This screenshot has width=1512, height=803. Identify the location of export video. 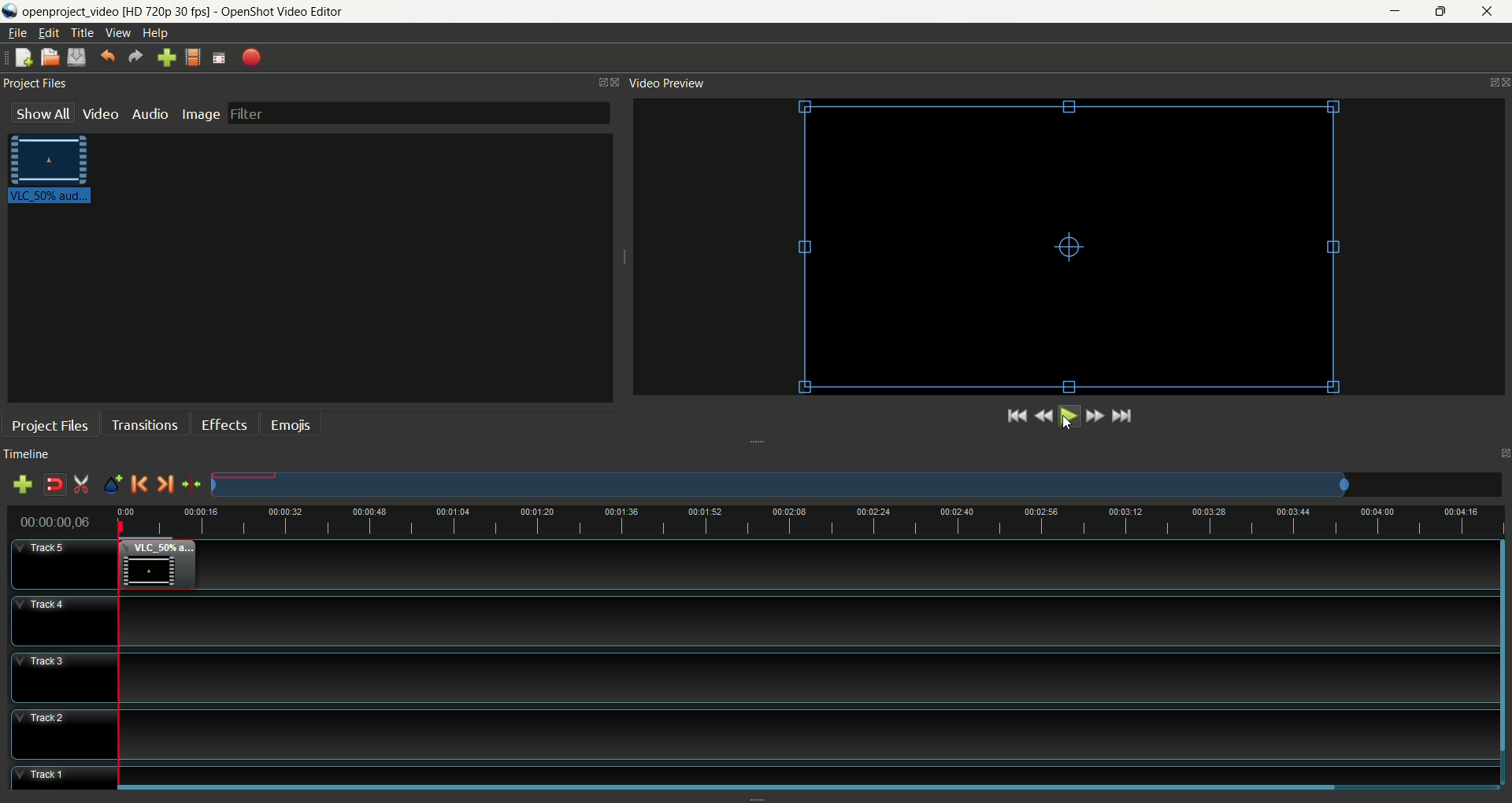
(253, 57).